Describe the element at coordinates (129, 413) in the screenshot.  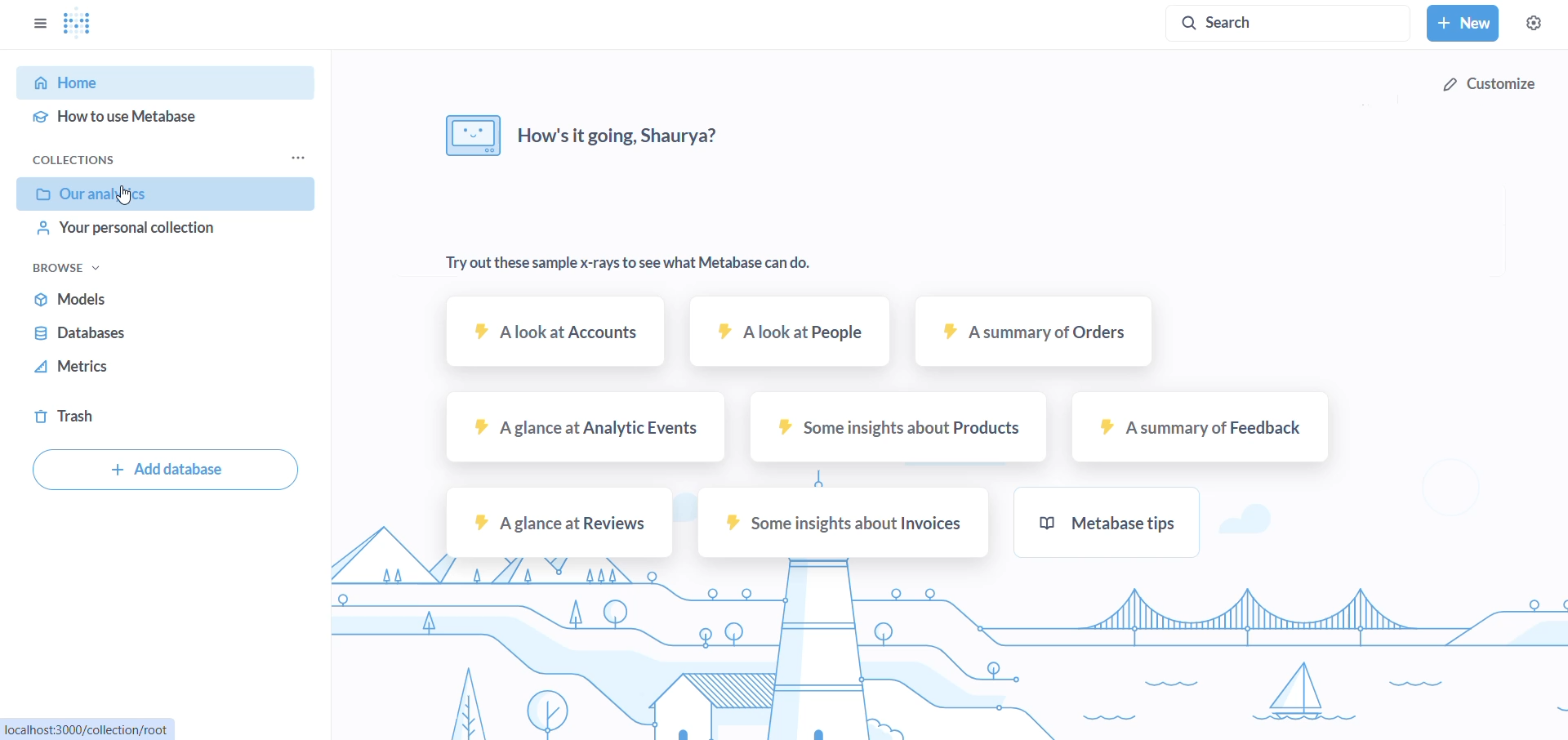
I see `trash` at that location.